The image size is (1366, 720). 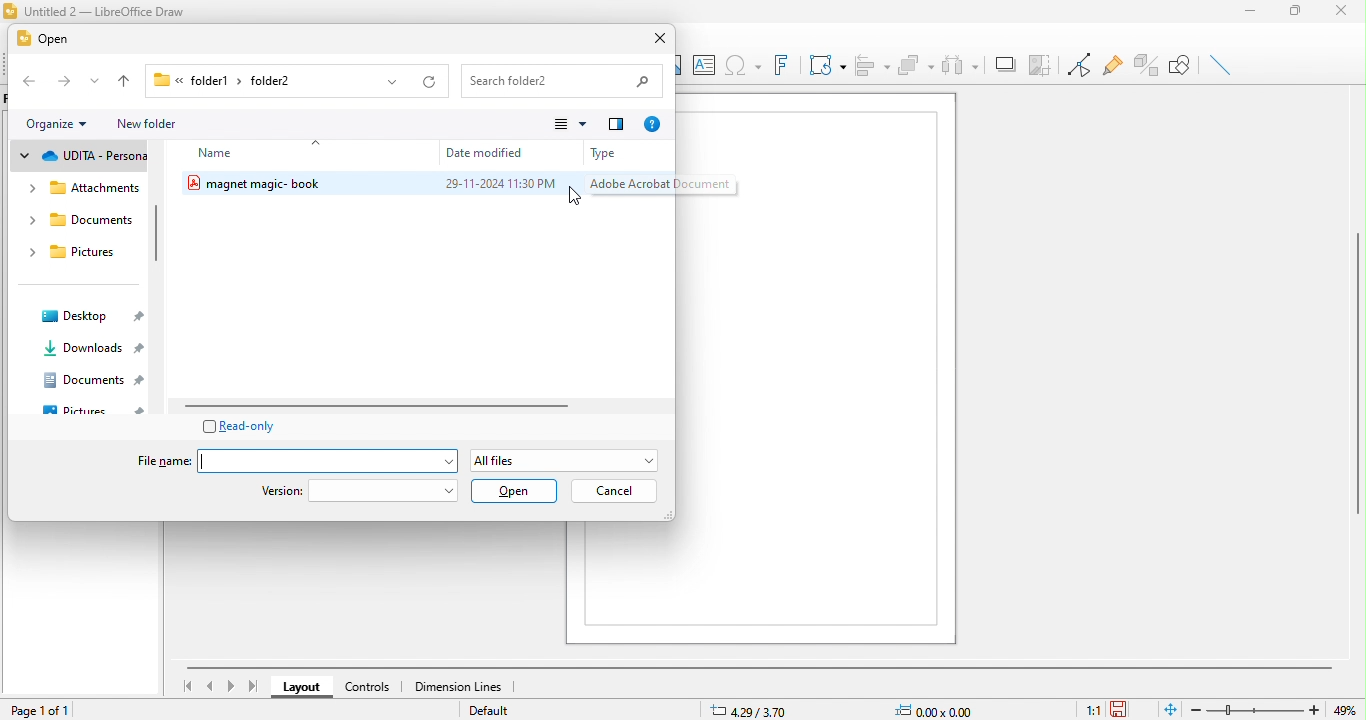 What do you see at coordinates (1041, 63) in the screenshot?
I see `crop image` at bounding box center [1041, 63].